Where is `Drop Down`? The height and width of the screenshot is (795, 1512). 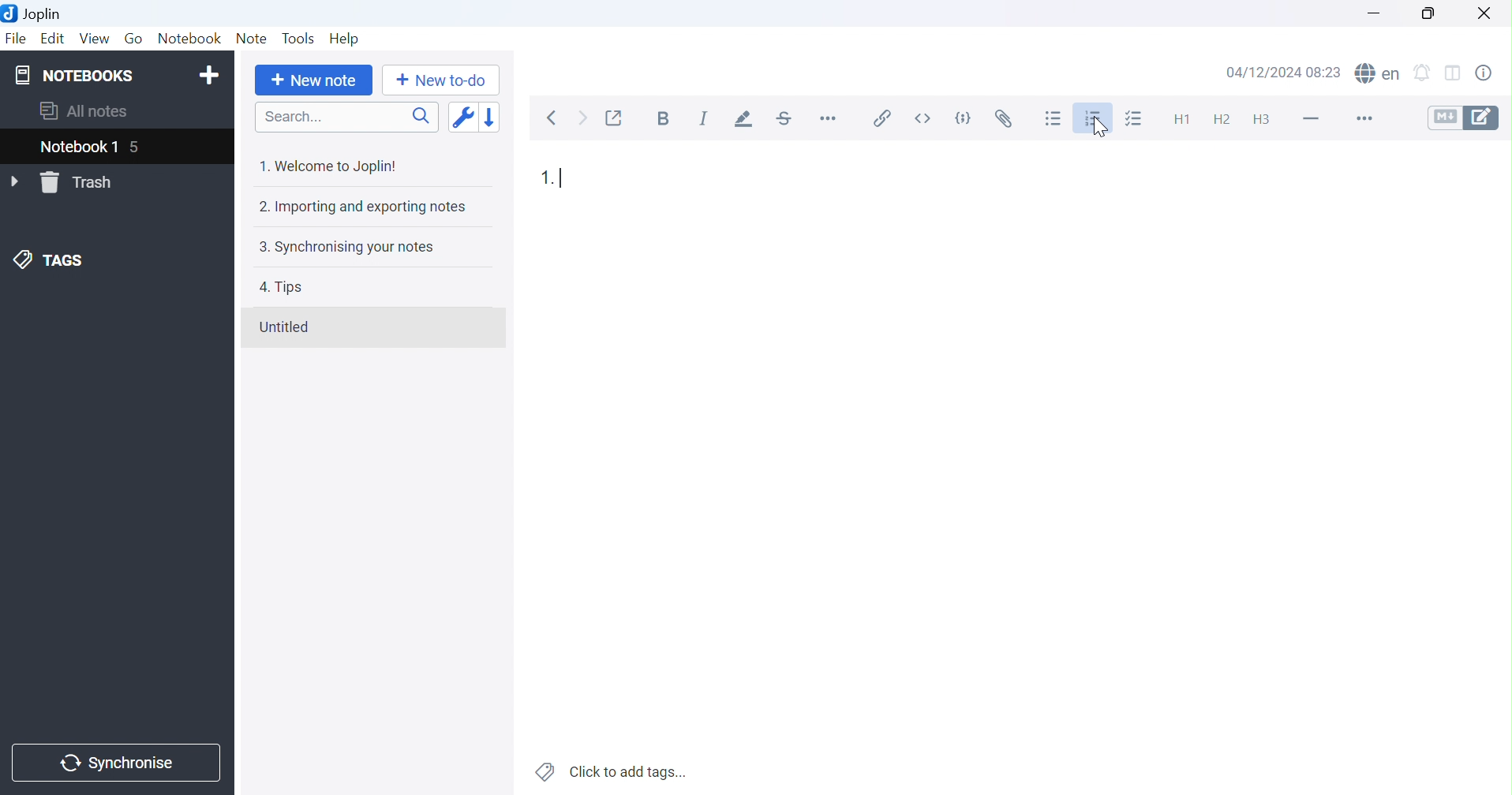
Drop Down is located at coordinates (16, 182).